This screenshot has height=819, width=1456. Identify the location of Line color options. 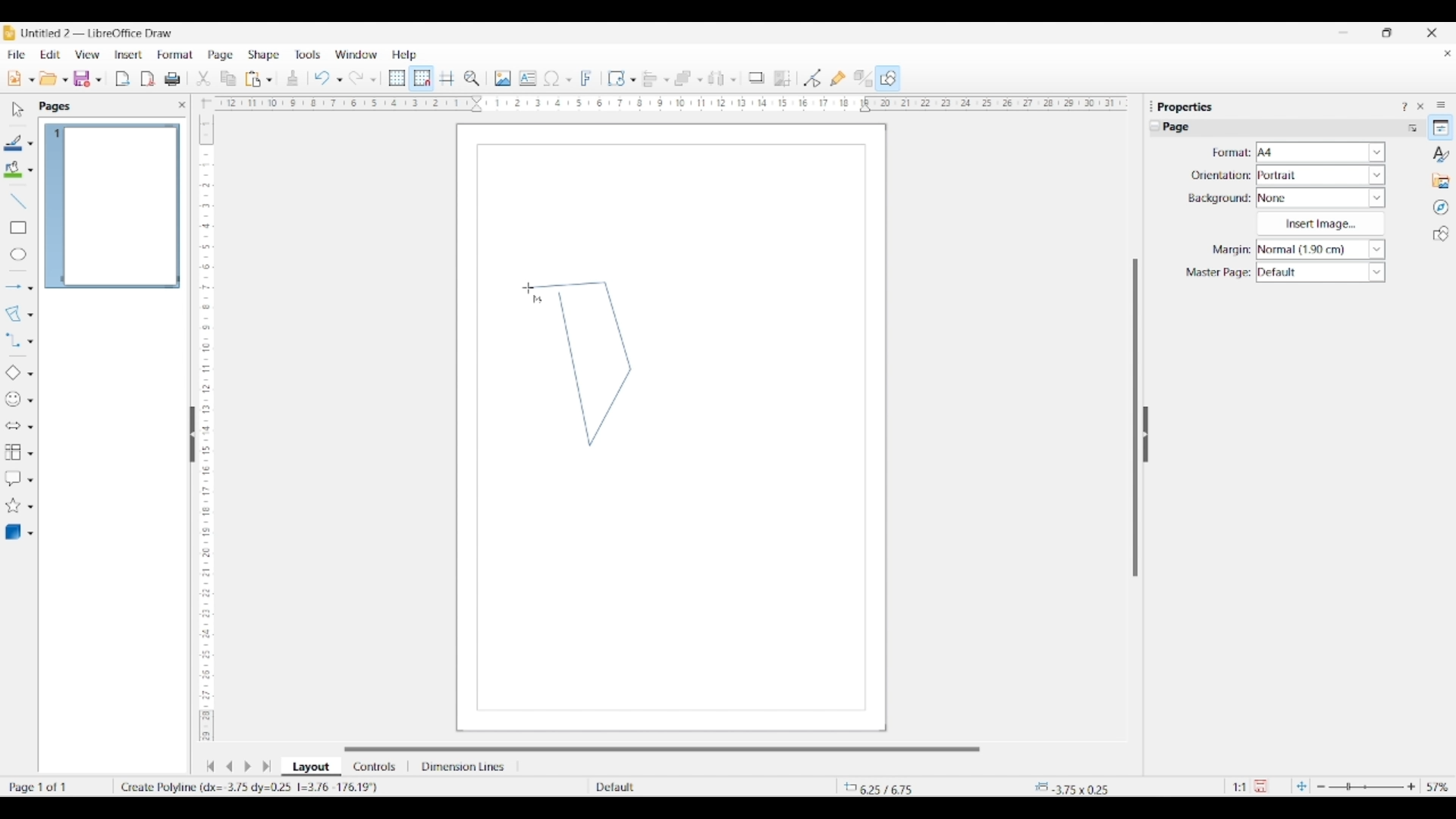
(30, 144).